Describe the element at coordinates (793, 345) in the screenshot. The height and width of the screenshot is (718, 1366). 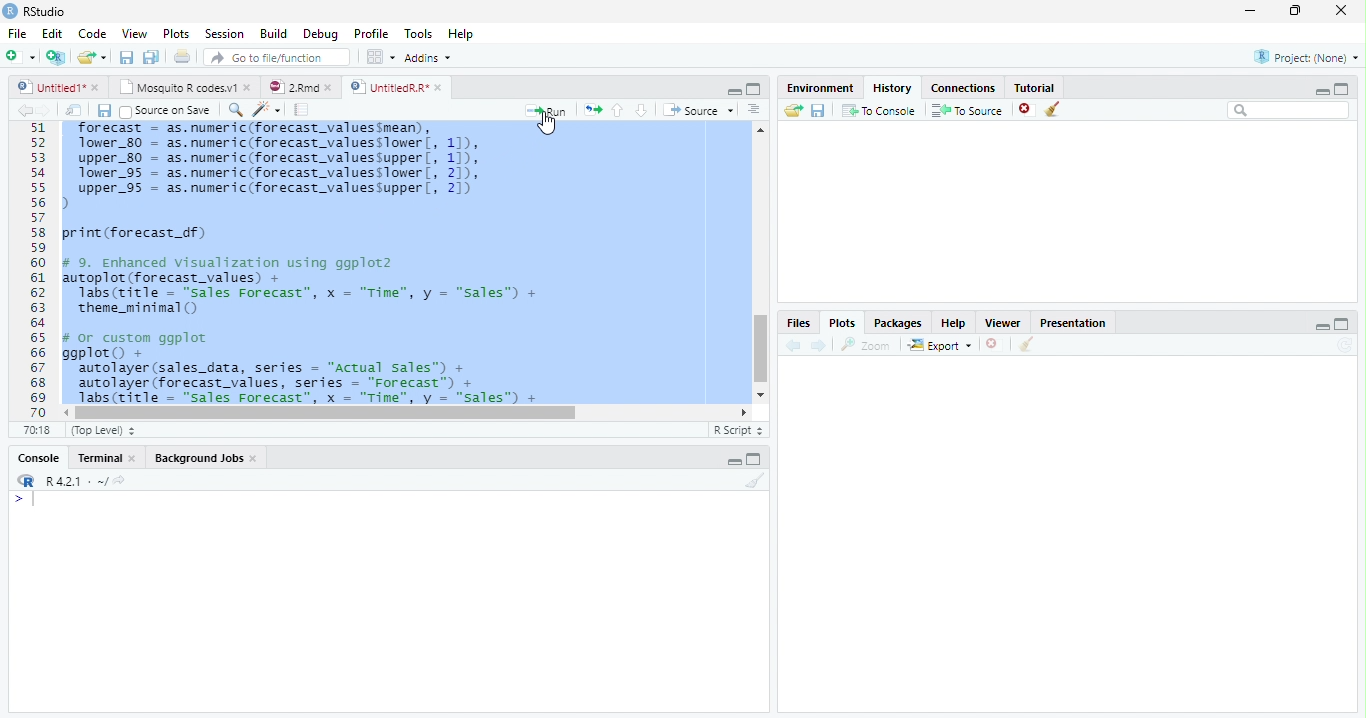
I see `Previous` at that location.